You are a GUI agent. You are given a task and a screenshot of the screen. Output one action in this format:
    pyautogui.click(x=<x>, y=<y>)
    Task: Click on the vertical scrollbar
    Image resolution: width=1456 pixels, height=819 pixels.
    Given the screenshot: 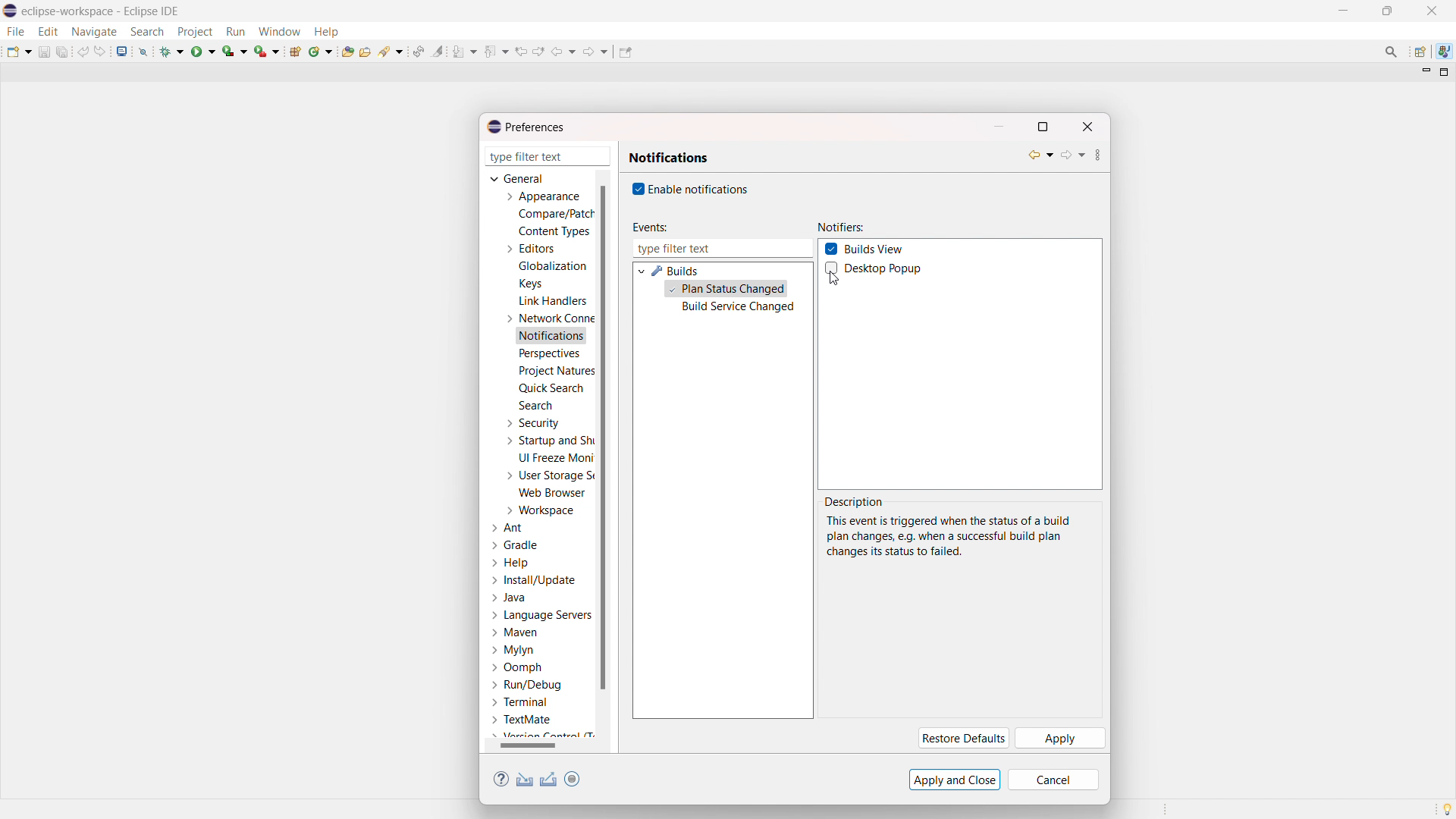 What is the action you would take?
    pyautogui.click(x=602, y=436)
    